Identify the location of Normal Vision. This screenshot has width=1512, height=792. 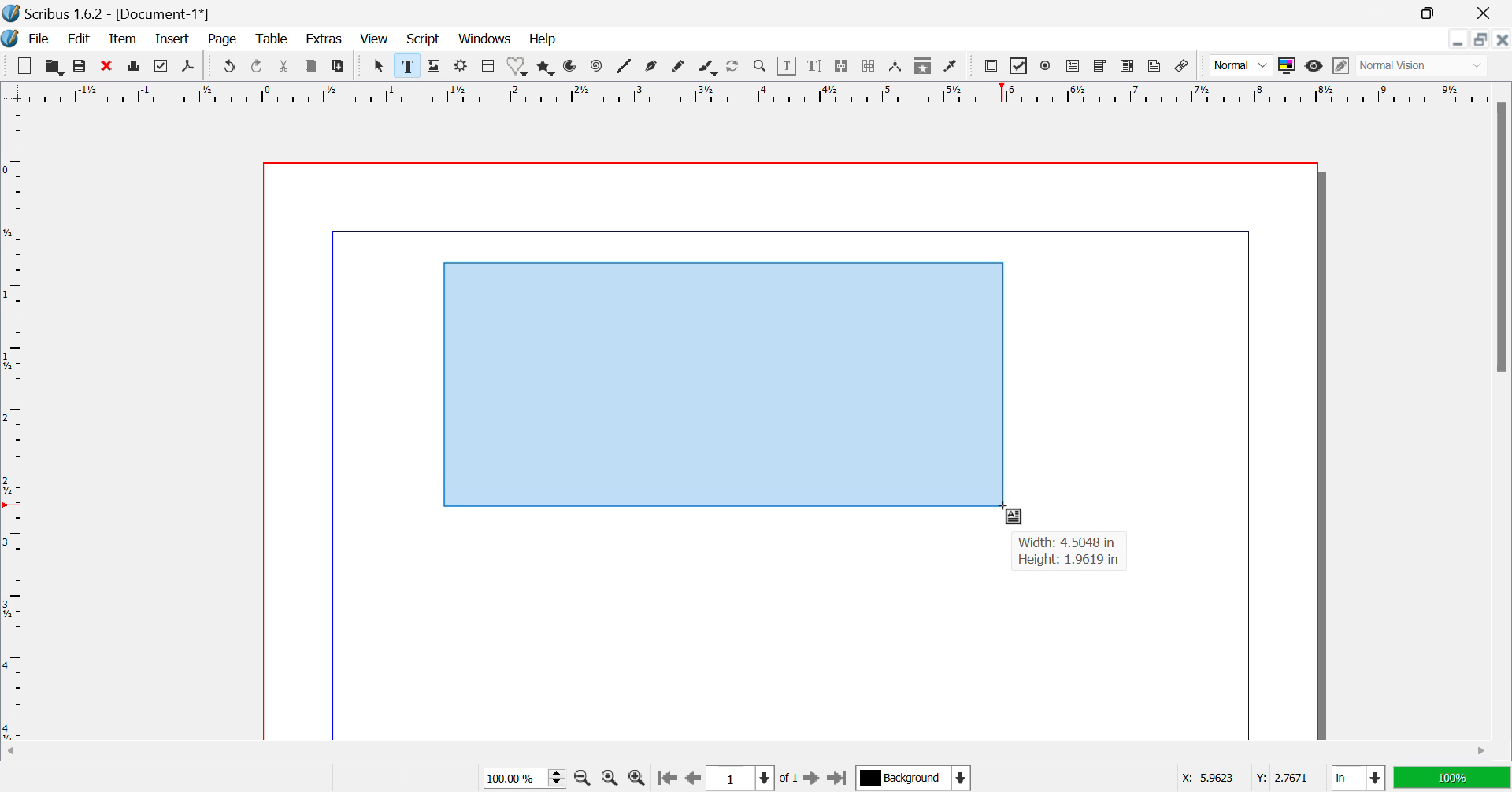
(1425, 67).